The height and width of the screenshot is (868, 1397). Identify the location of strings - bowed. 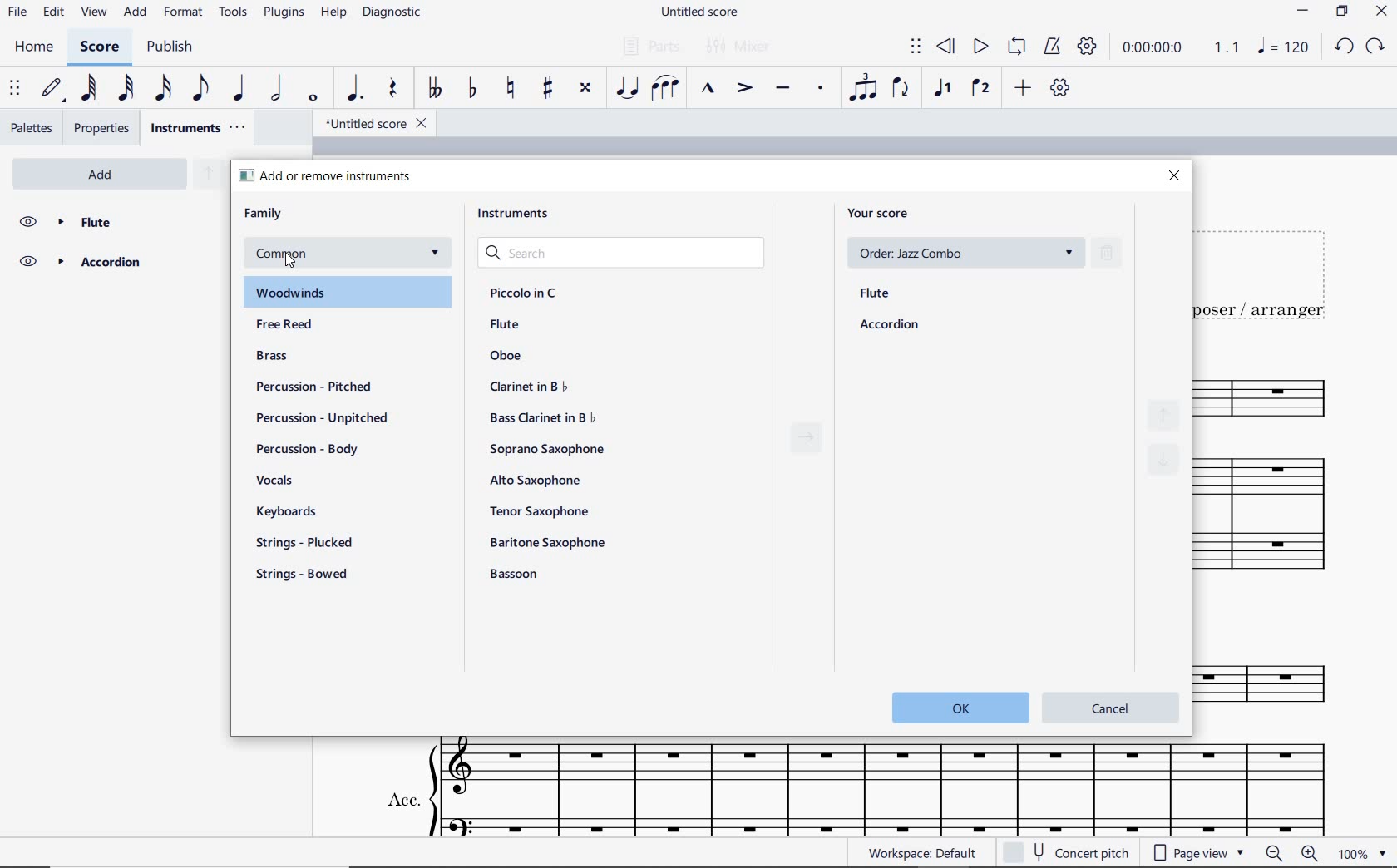
(309, 575).